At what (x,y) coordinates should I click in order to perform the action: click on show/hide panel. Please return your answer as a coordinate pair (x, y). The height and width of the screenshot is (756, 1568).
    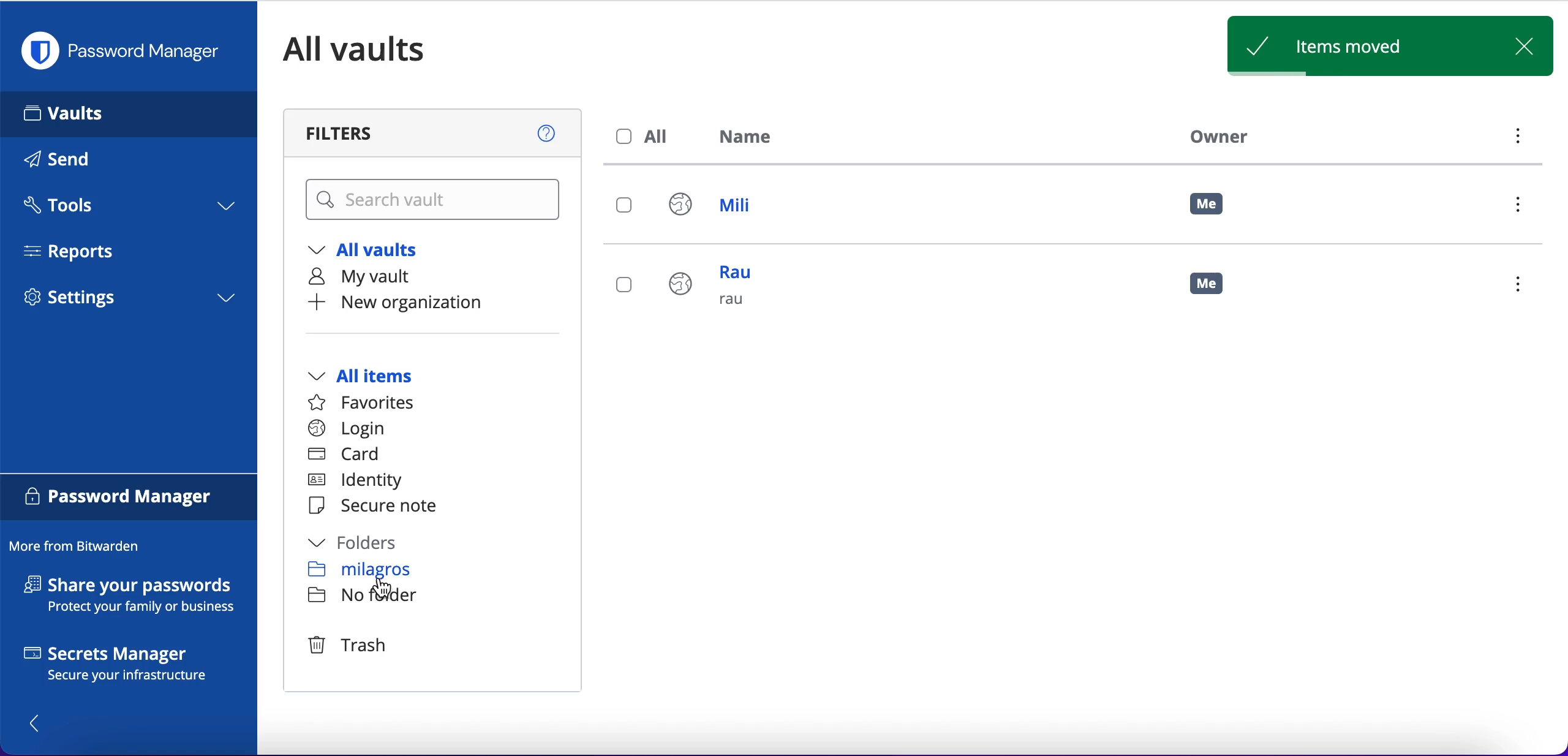
    Looking at the image, I should click on (41, 722).